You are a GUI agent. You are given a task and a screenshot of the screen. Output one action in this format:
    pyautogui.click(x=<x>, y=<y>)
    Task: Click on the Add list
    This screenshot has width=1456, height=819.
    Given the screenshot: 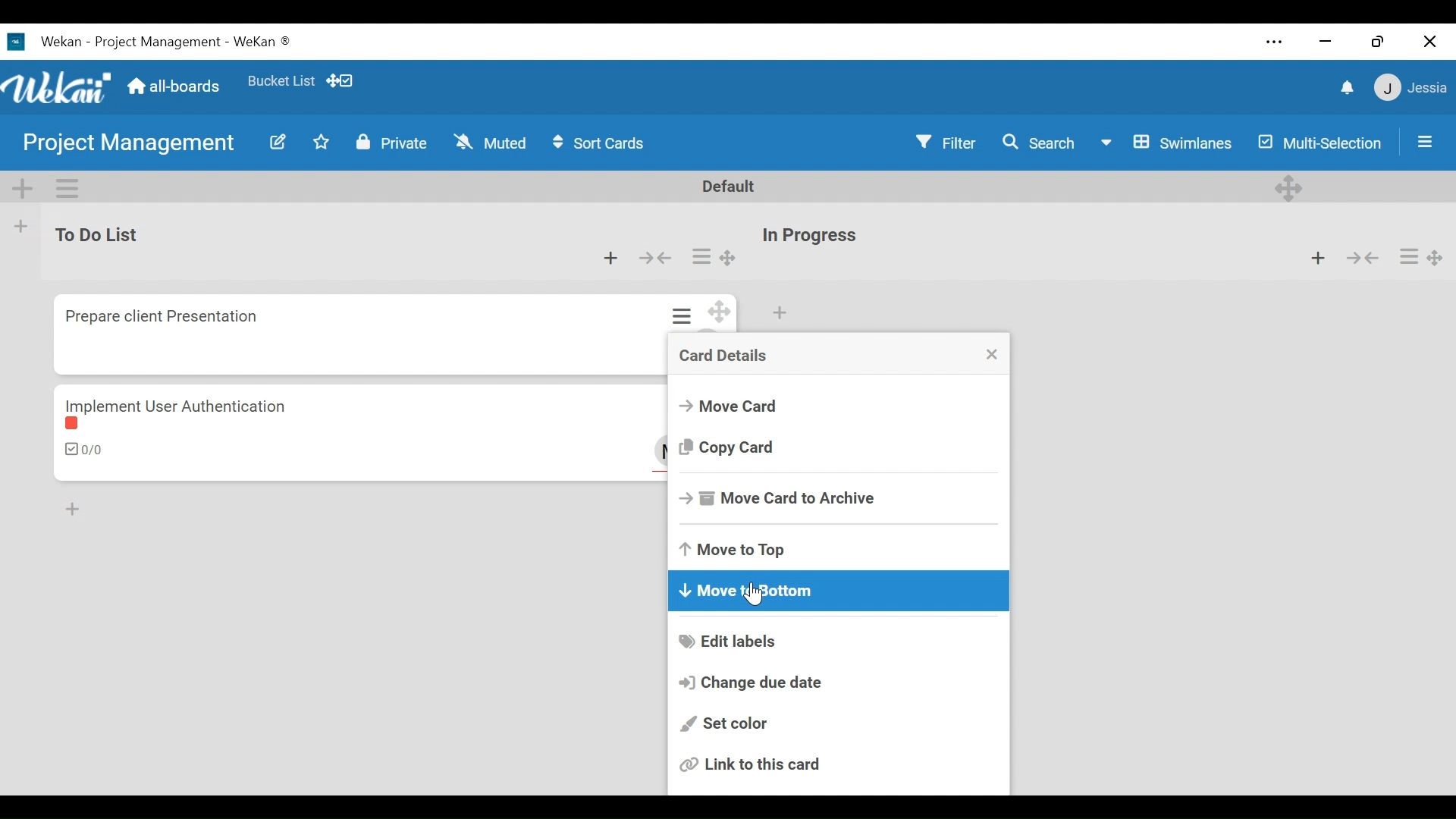 What is the action you would take?
    pyautogui.click(x=24, y=226)
    